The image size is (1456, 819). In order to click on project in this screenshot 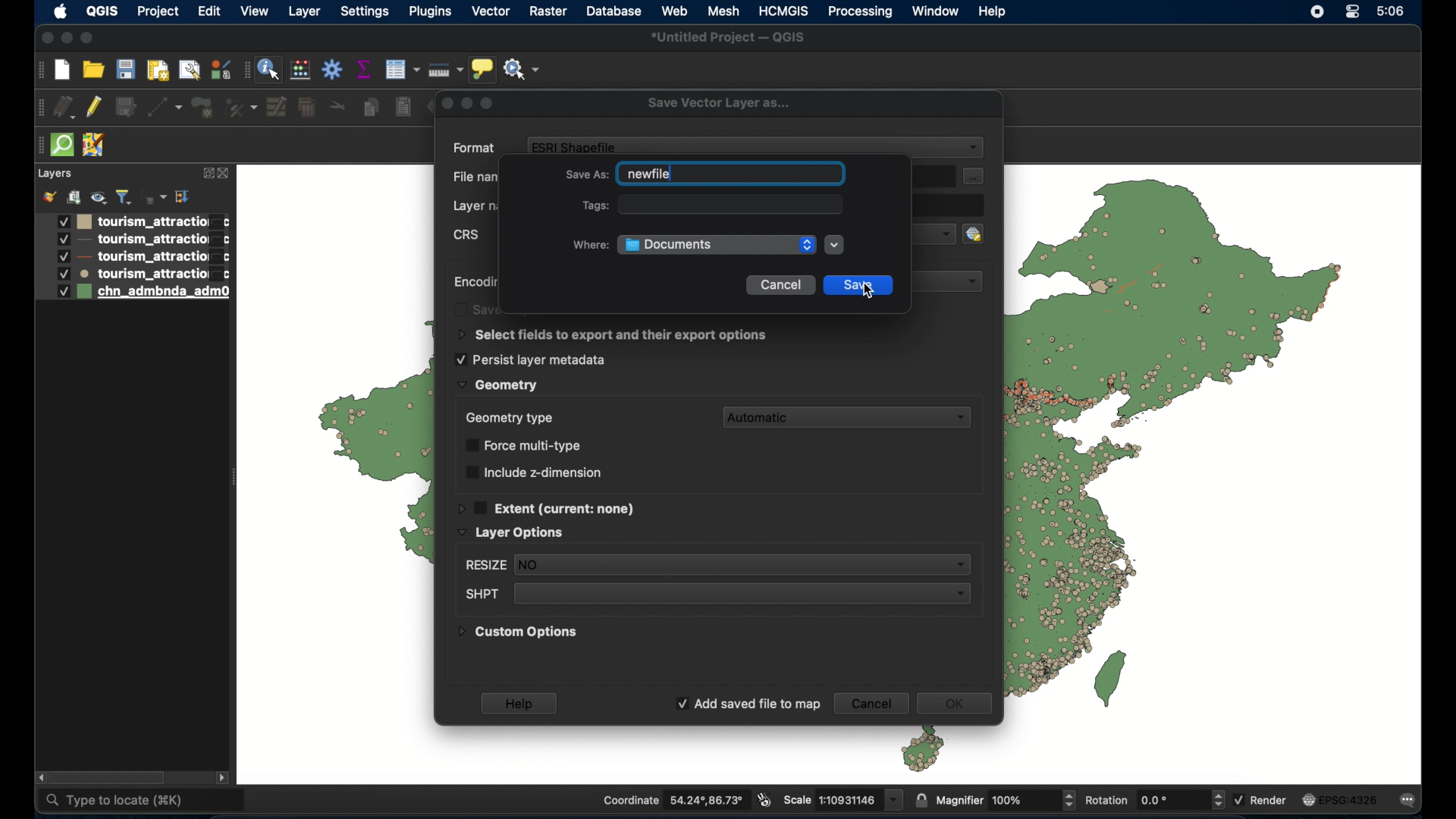, I will do `click(155, 11)`.